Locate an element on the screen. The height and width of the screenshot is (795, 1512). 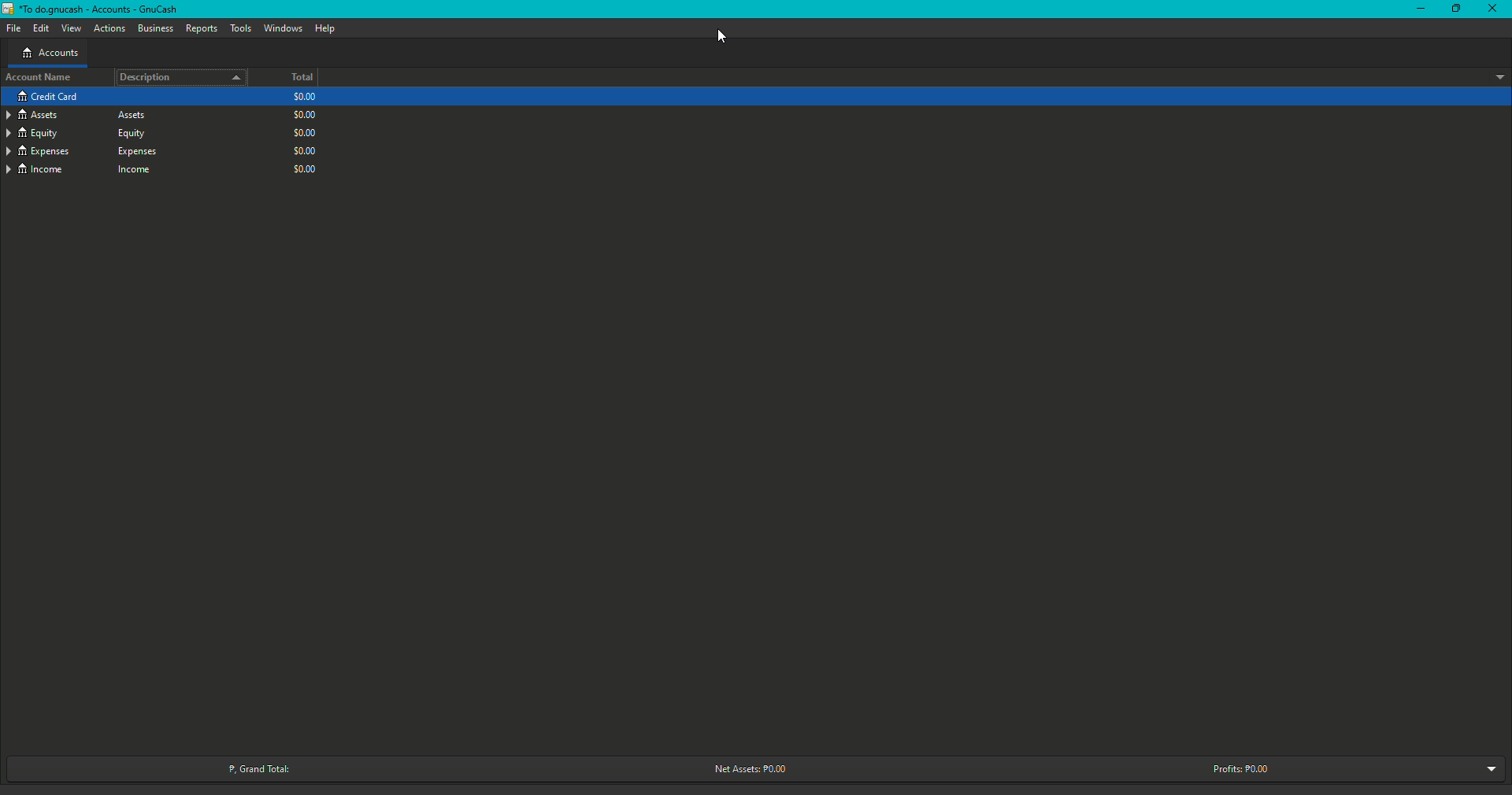
Edit is located at coordinates (39, 28).